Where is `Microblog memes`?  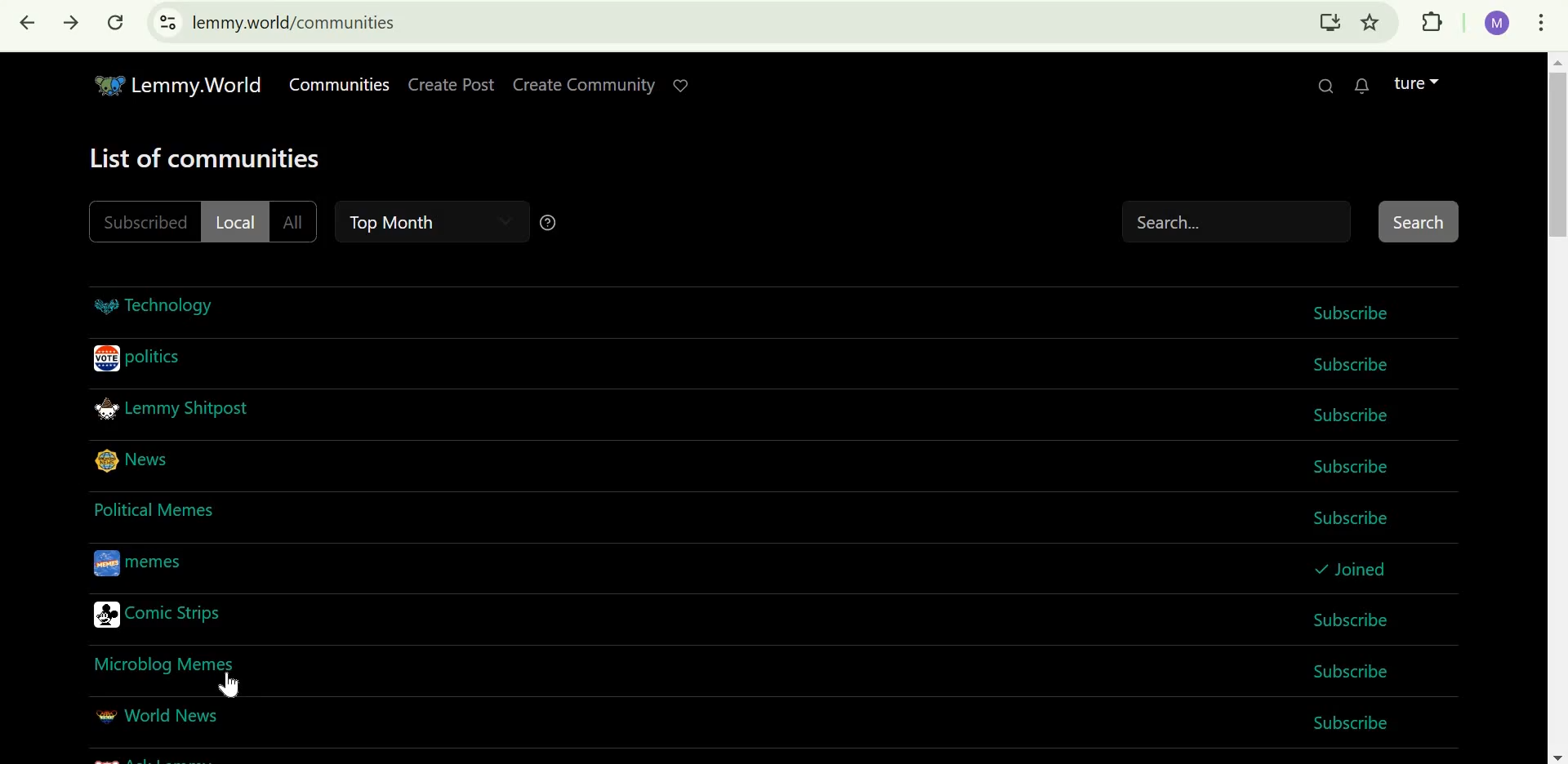 Microblog memes is located at coordinates (168, 661).